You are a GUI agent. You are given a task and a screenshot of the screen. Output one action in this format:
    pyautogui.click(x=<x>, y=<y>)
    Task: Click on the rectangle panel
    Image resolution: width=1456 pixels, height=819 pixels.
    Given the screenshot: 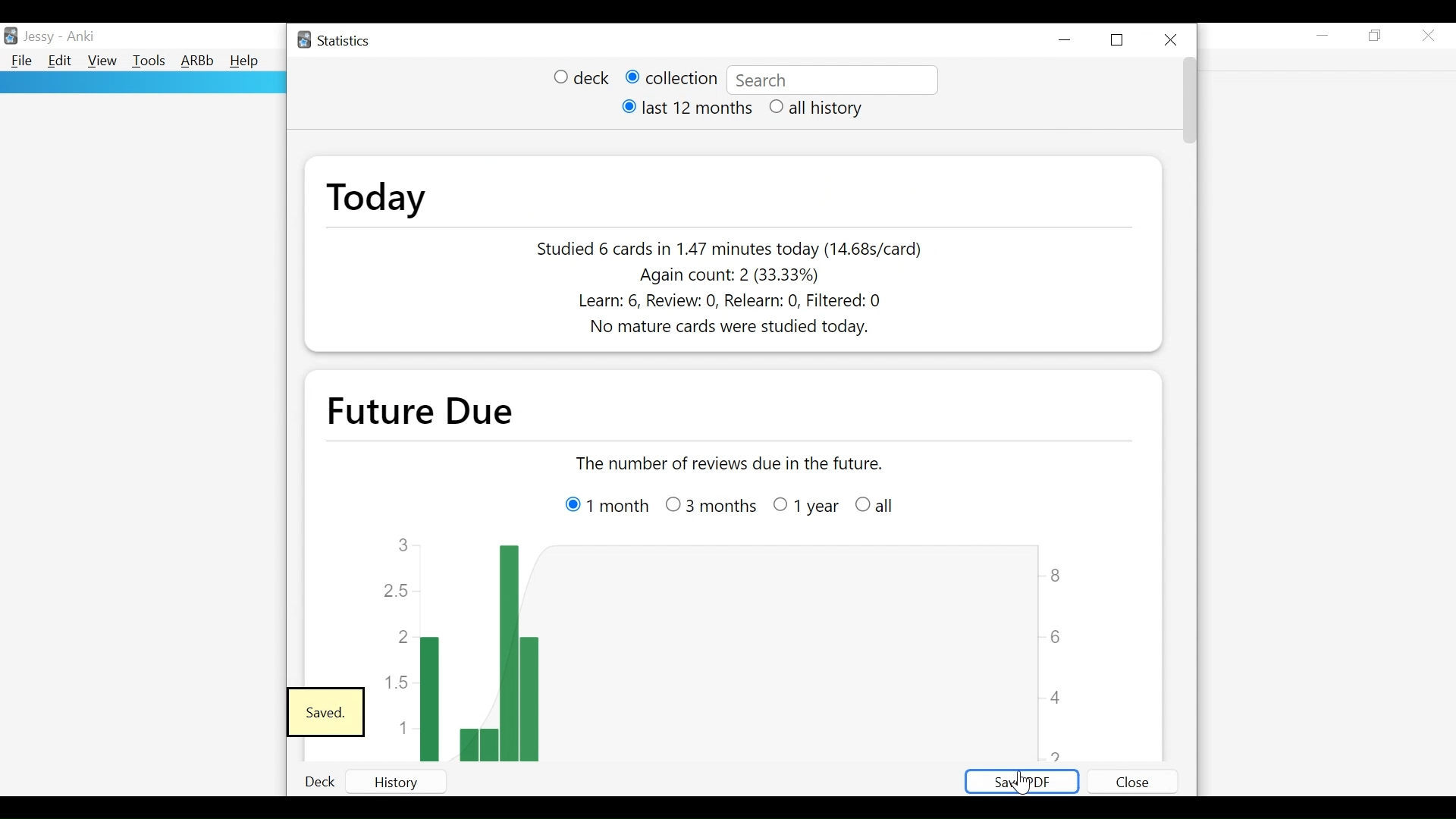 What is the action you would take?
    pyautogui.click(x=142, y=83)
    